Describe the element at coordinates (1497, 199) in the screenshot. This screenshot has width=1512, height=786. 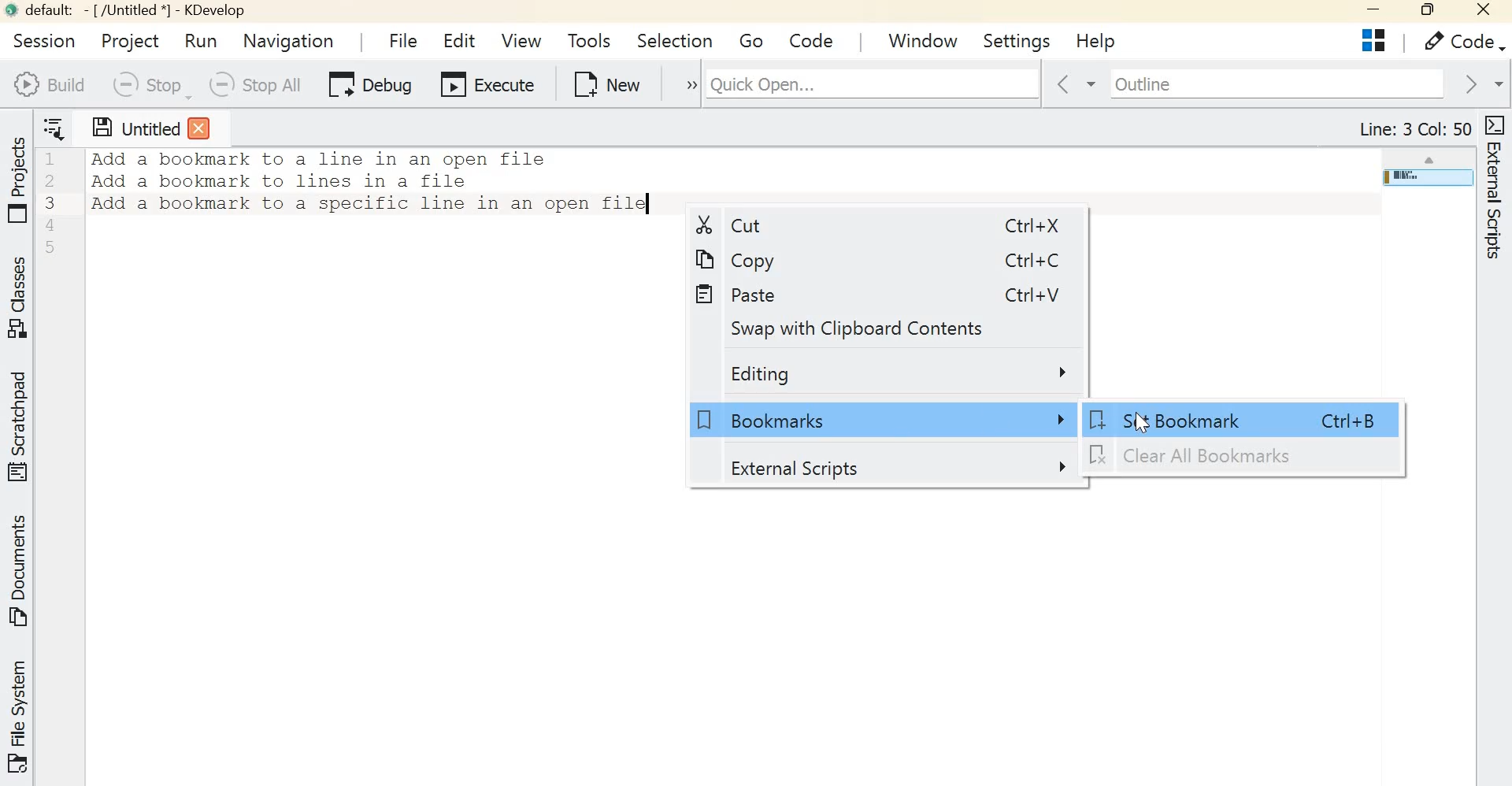
I see `External scripts` at that location.